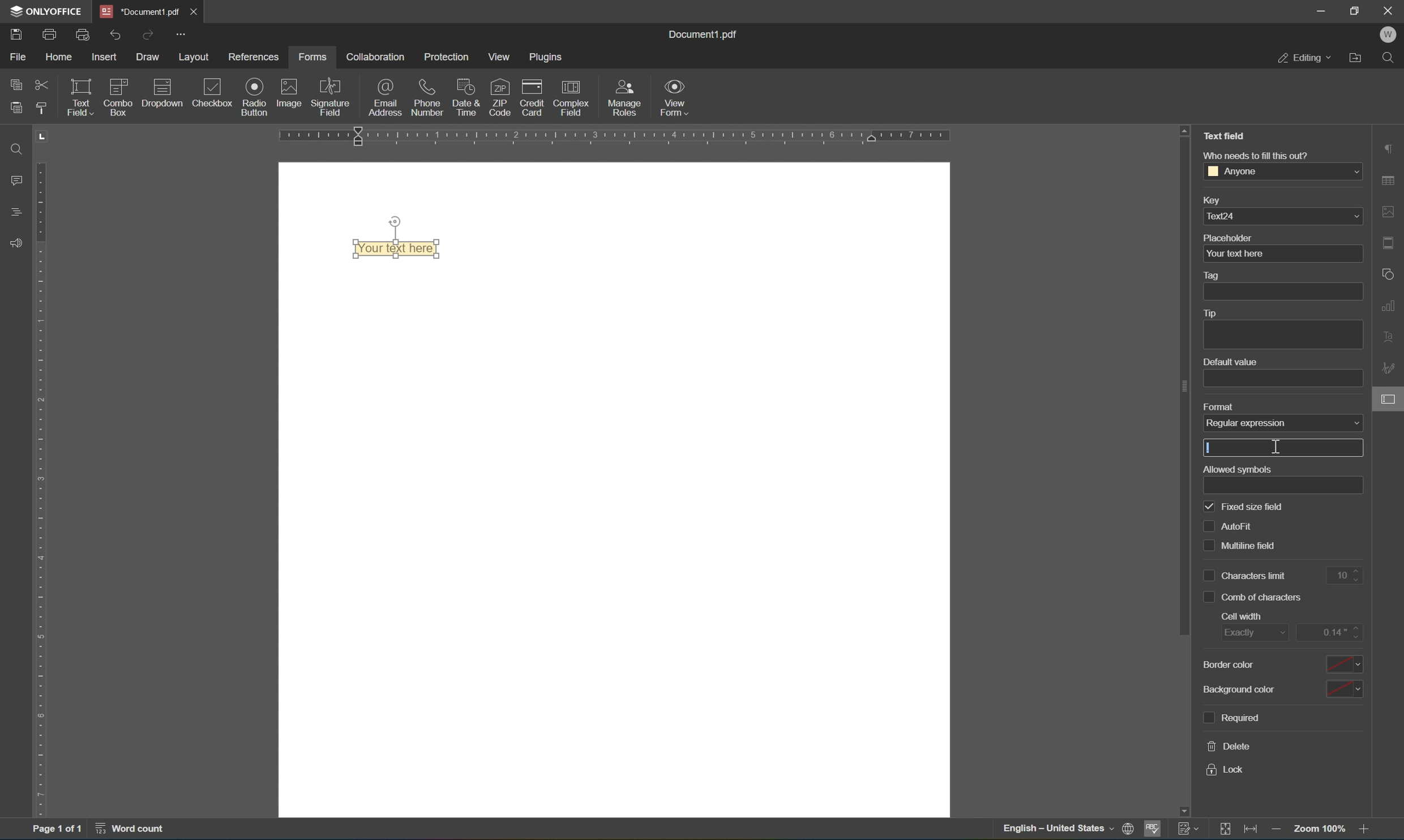 This screenshot has width=1404, height=840. I want to click on save, so click(16, 36).